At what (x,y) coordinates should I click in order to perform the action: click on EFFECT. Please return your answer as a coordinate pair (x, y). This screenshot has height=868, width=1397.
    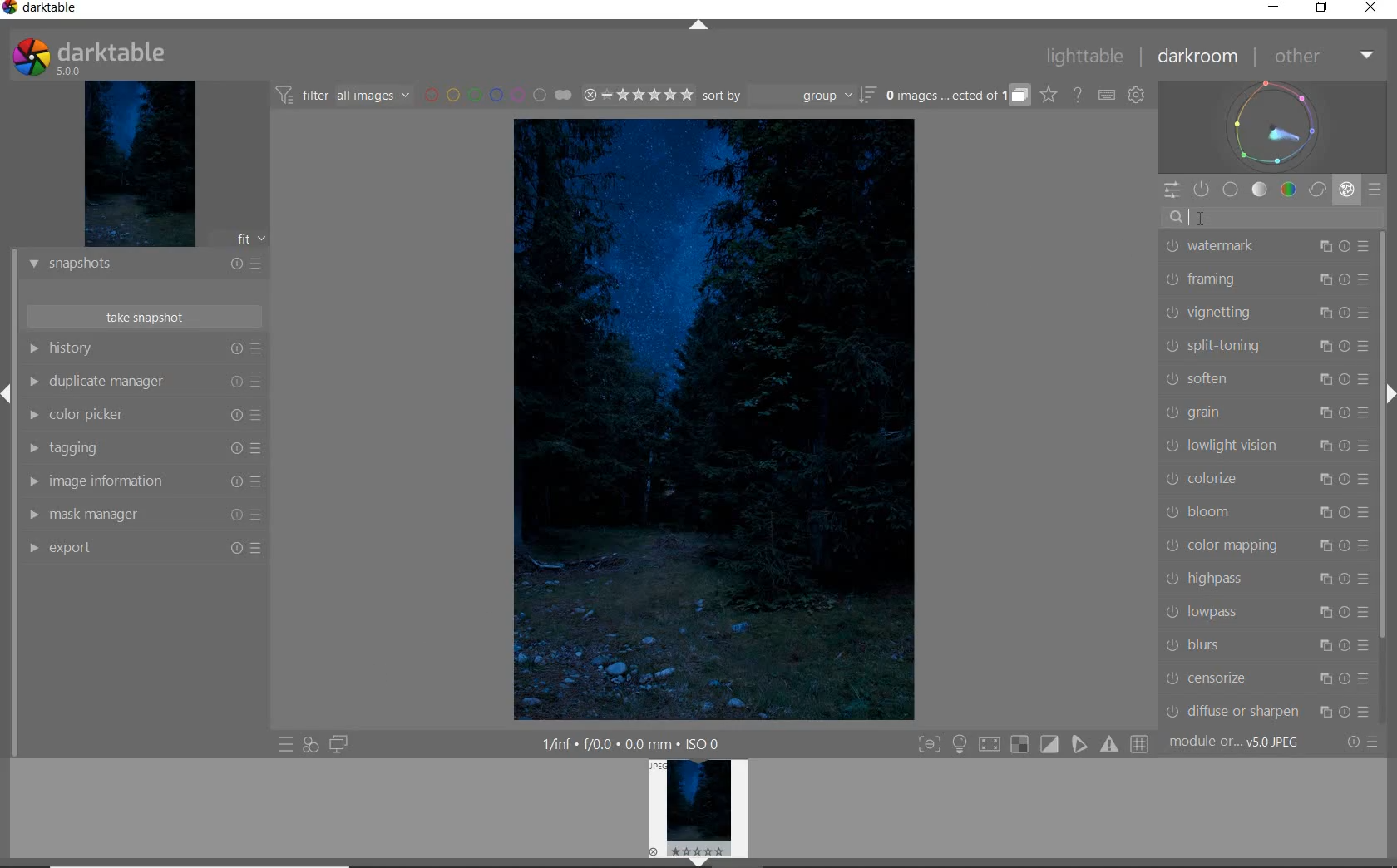
    Looking at the image, I should click on (1347, 190).